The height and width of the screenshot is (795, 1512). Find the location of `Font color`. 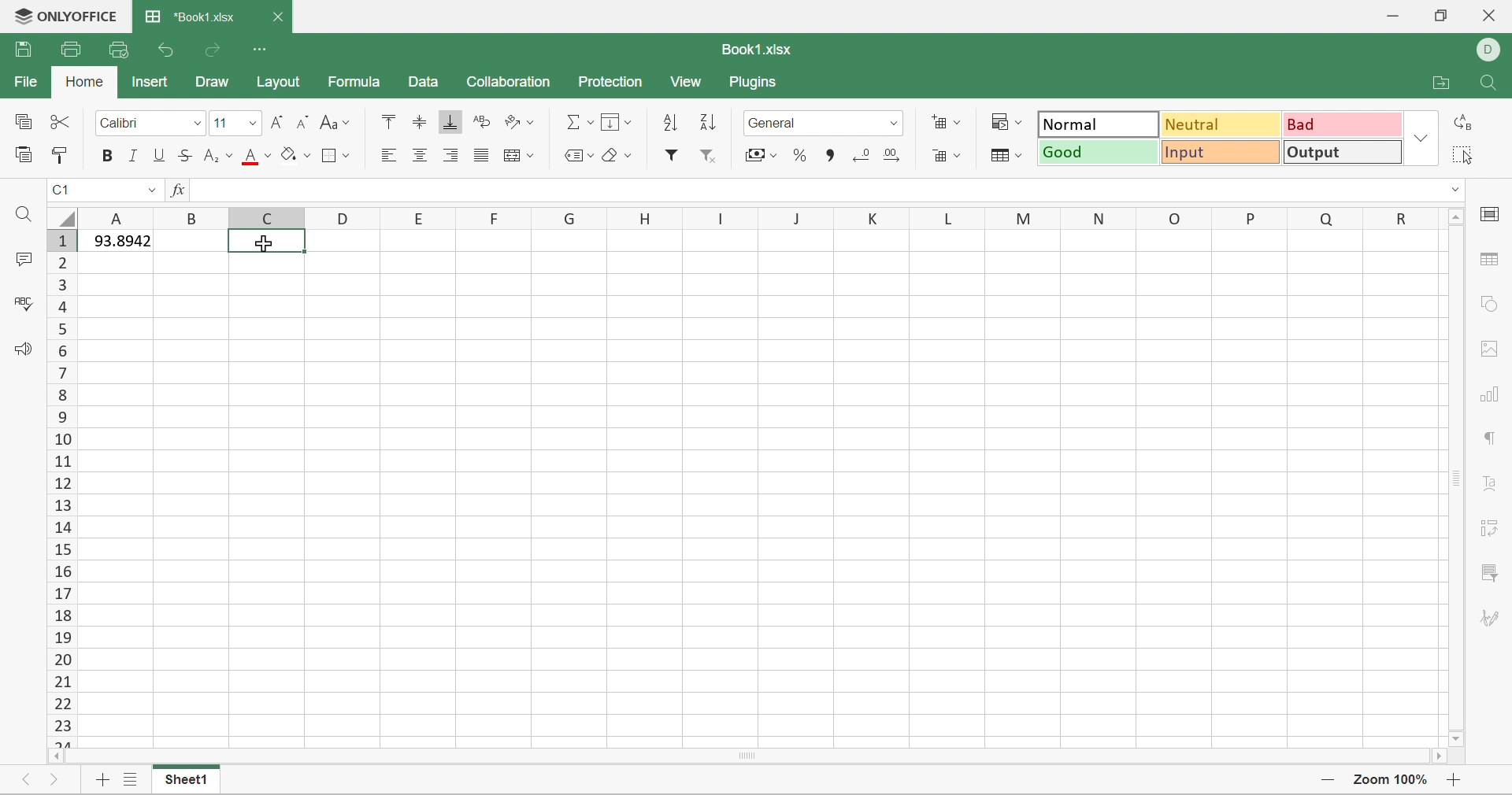

Font color is located at coordinates (256, 157).